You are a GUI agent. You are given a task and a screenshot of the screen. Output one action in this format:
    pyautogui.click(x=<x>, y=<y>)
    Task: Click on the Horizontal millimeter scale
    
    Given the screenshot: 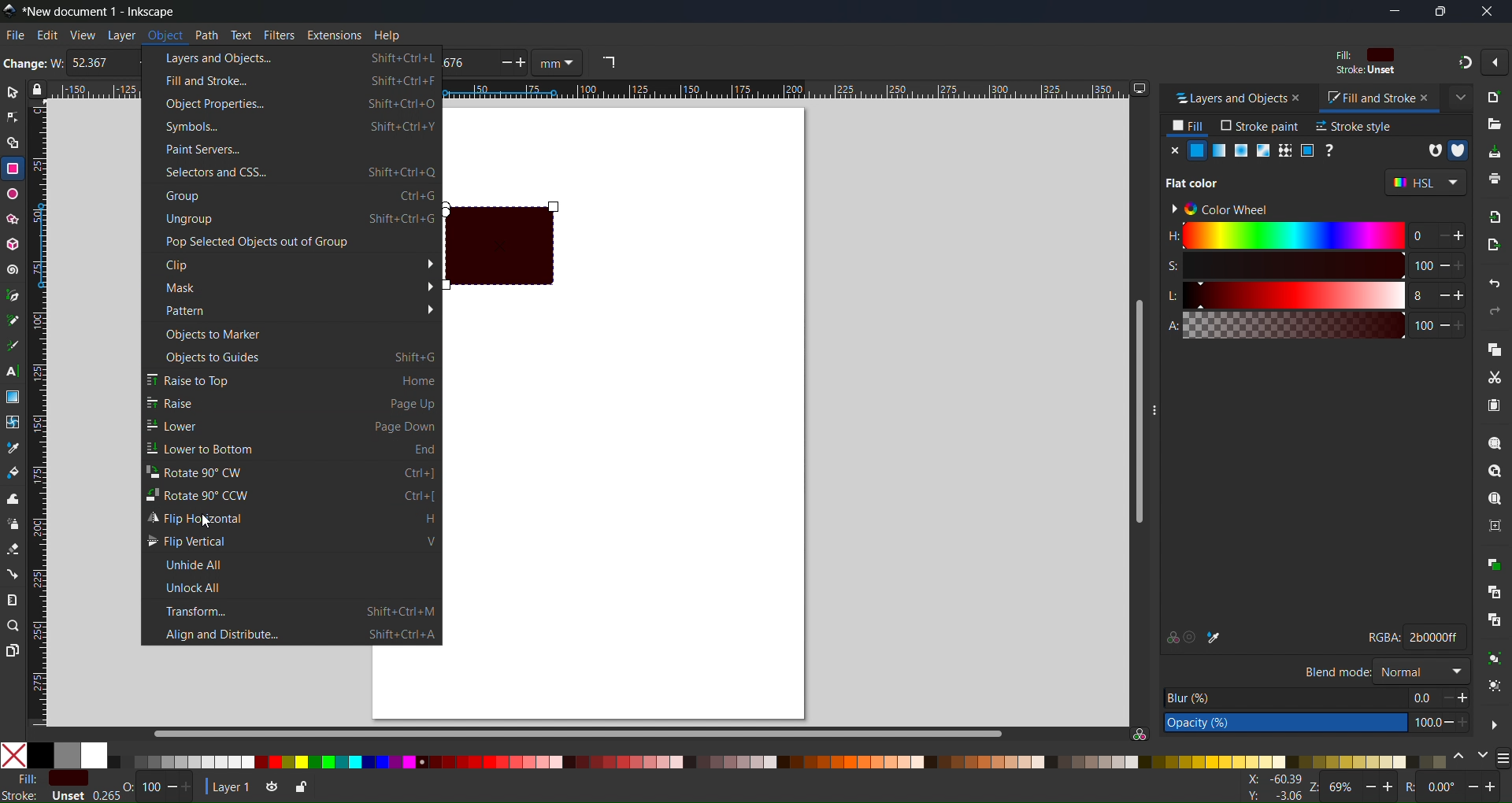 What is the action you would take?
    pyautogui.click(x=787, y=91)
    